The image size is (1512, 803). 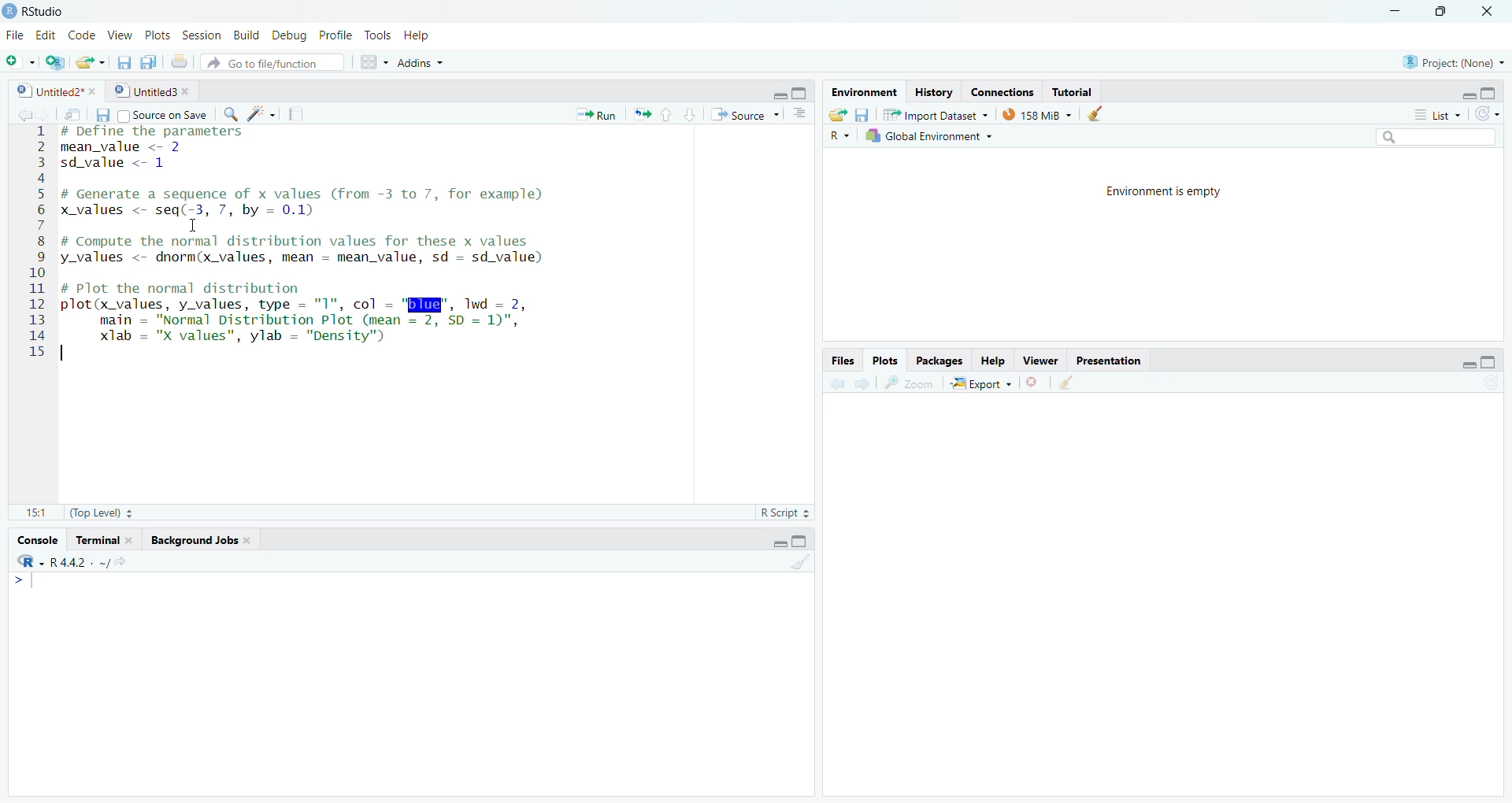 What do you see at coordinates (1445, 62) in the screenshot?
I see `U Project: (None) +` at bounding box center [1445, 62].